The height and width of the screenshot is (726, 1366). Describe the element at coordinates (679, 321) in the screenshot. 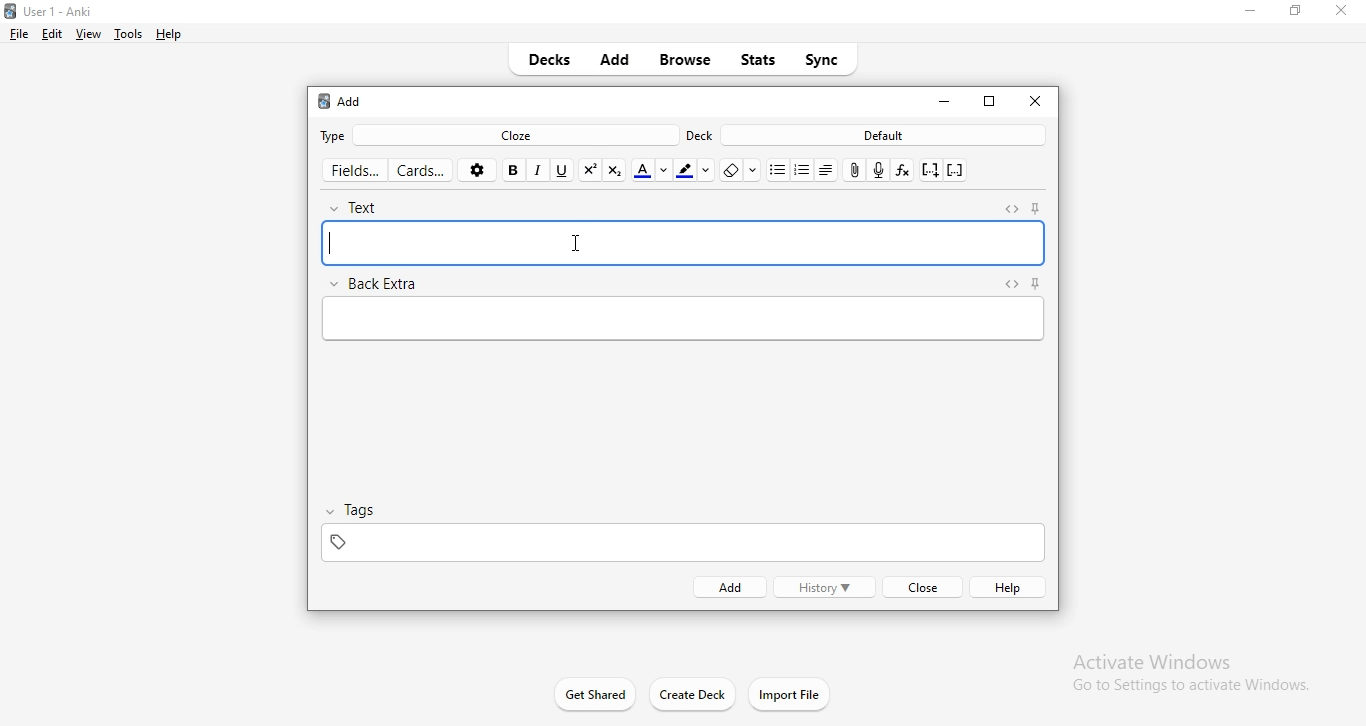

I see `text box` at that location.